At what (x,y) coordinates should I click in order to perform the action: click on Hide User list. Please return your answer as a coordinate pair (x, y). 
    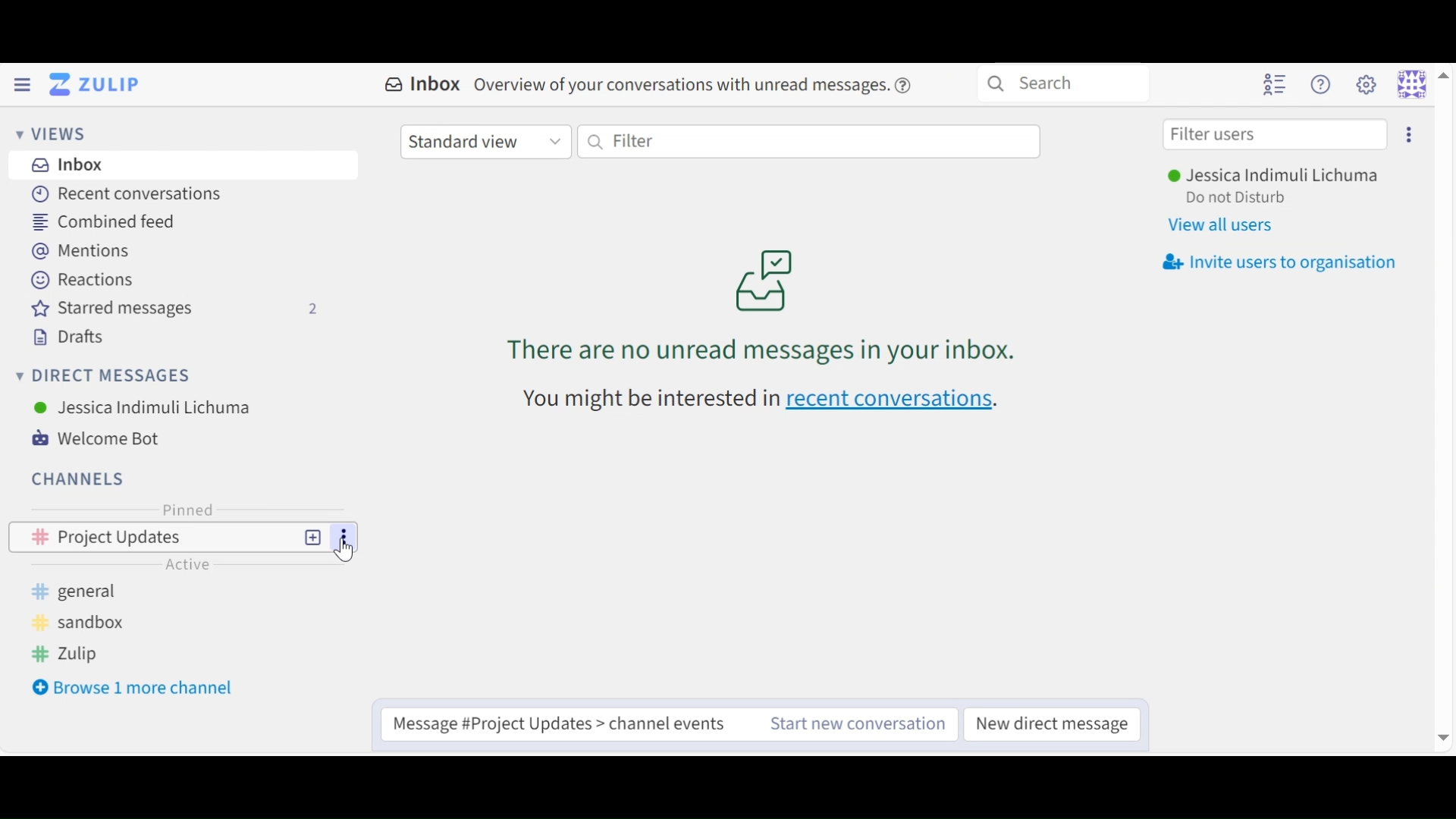
    Looking at the image, I should click on (1276, 82).